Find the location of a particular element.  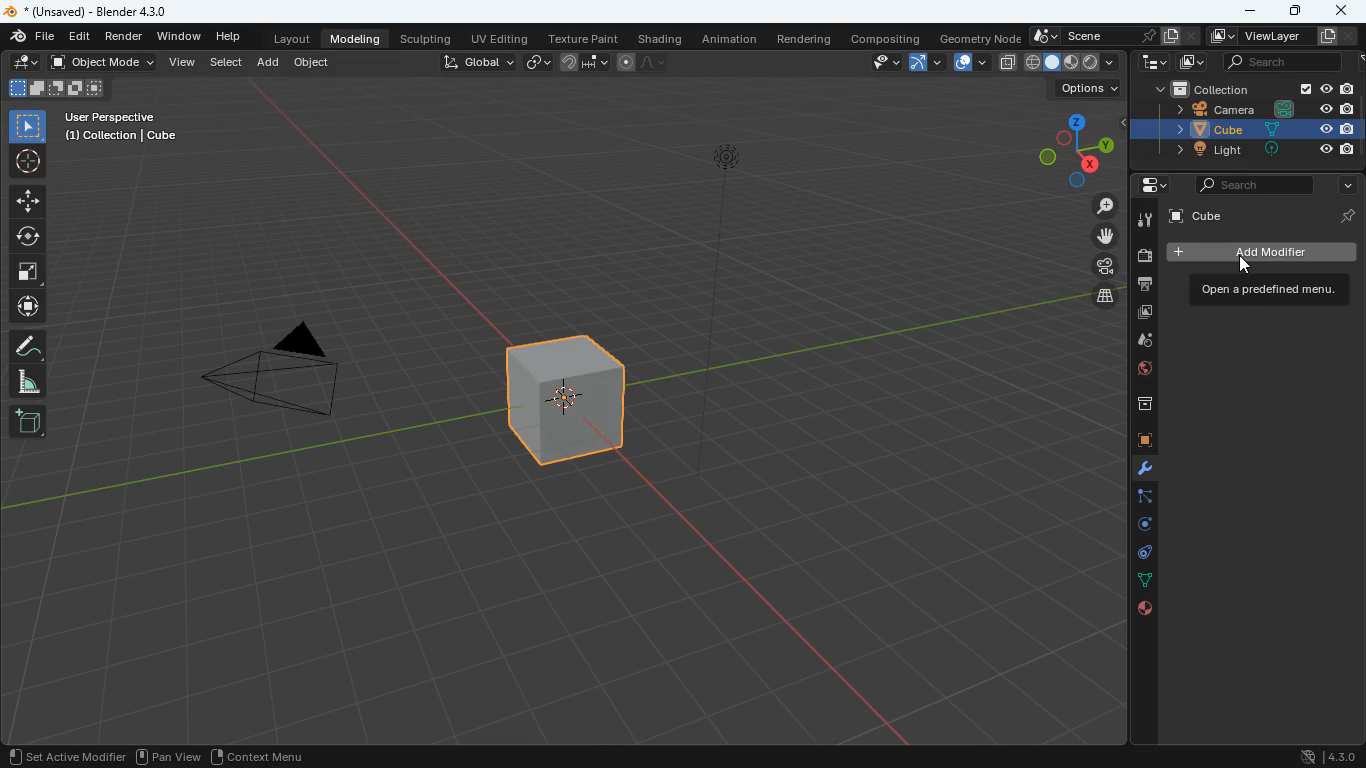

rotation is located at coordinates (1135, 526).